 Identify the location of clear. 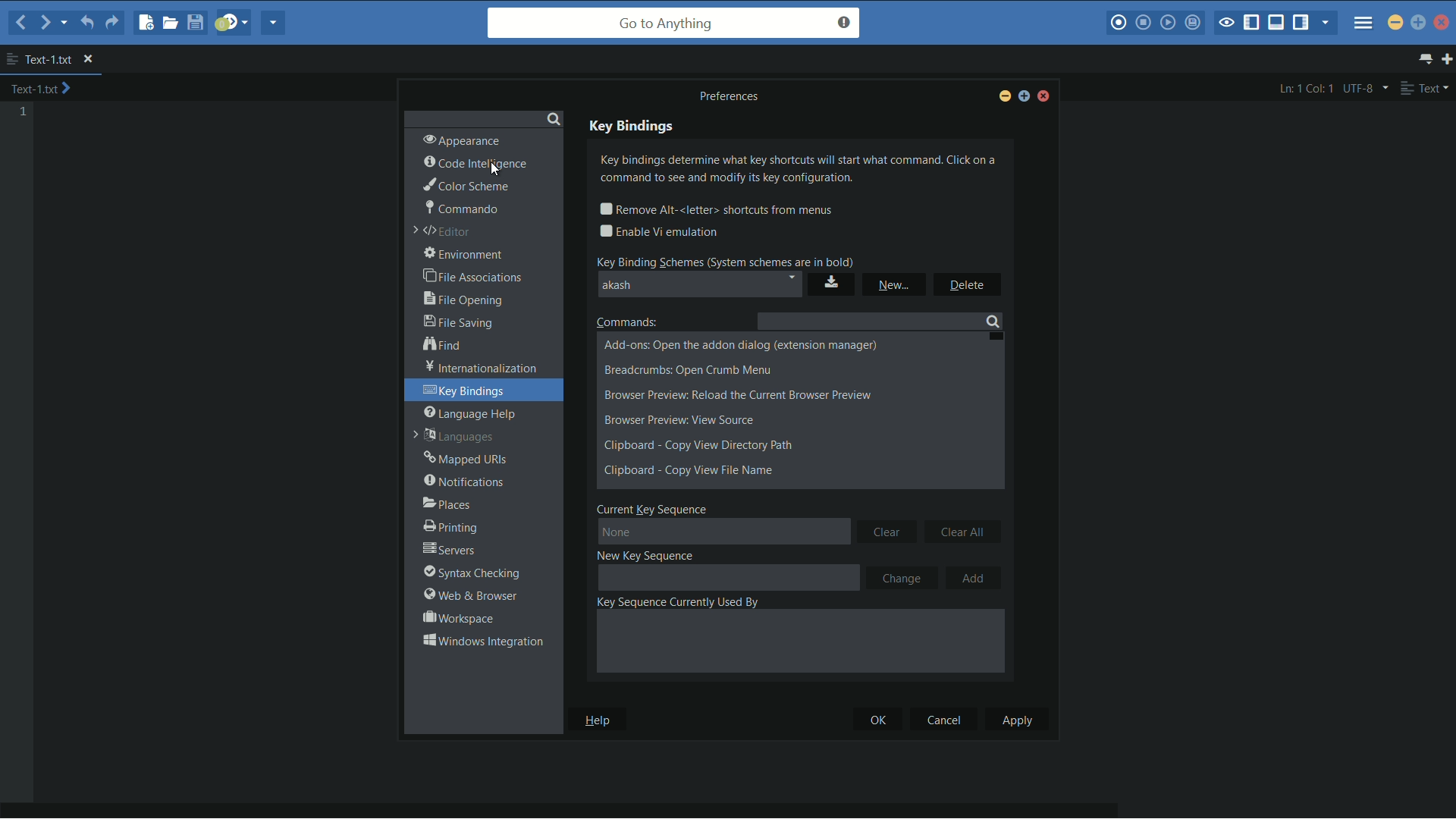
(888, 531).